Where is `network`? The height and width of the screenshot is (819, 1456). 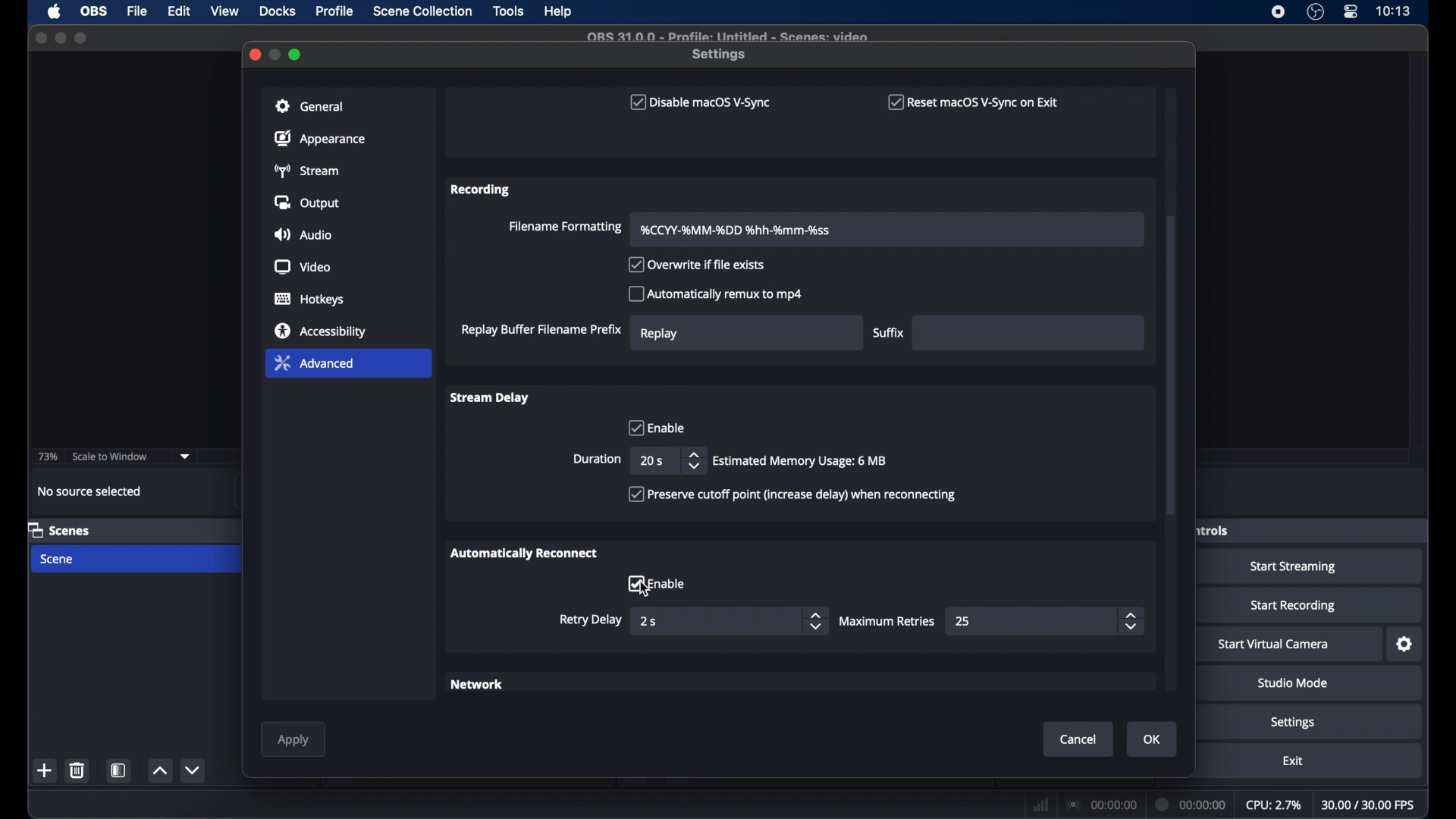 network is located at coordinates (1040, 803).